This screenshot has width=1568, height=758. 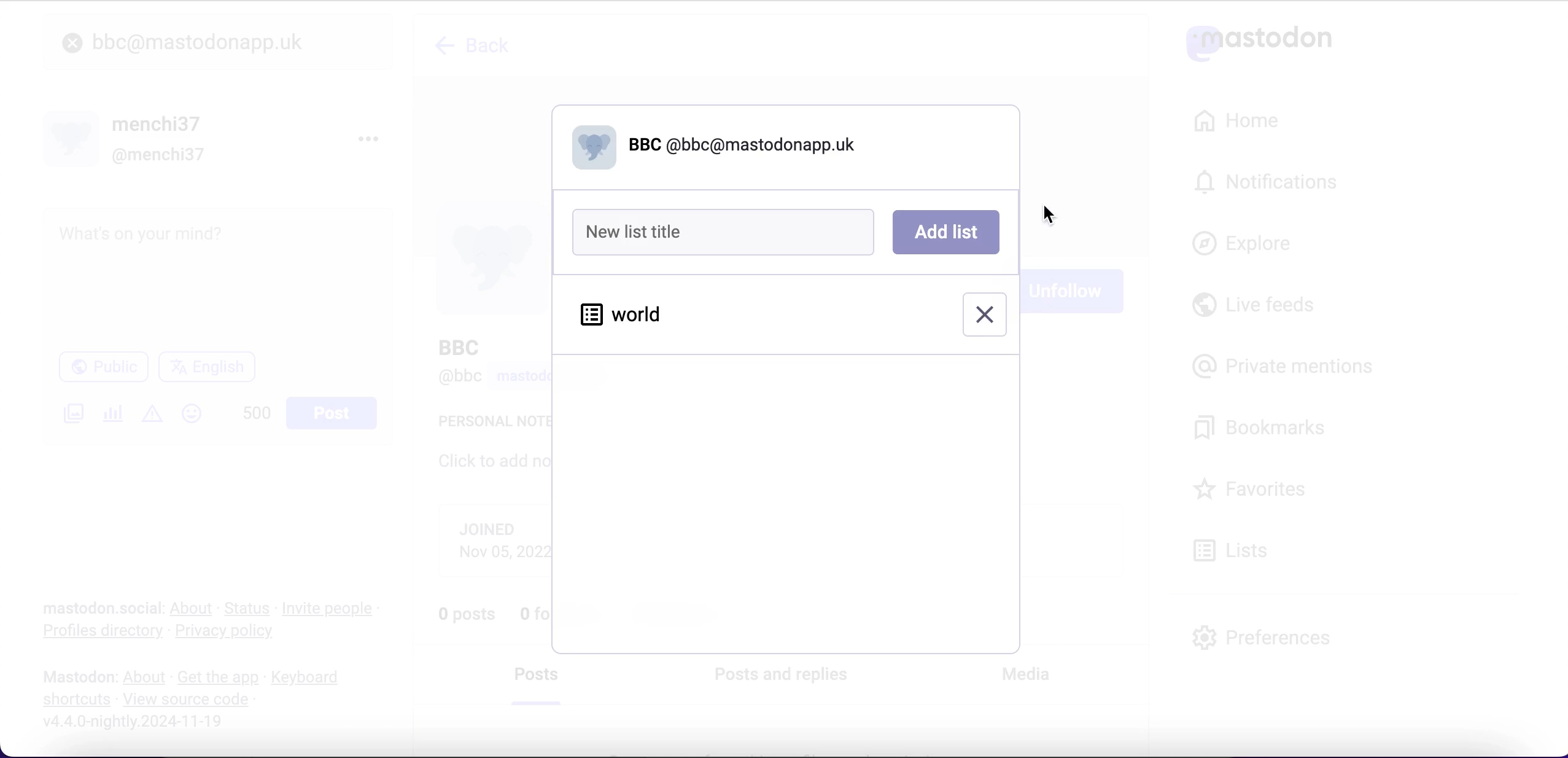 What do you see at coordinates (257, 415) in the screenshot?
I see `characters` at bounding box center [257, 415].